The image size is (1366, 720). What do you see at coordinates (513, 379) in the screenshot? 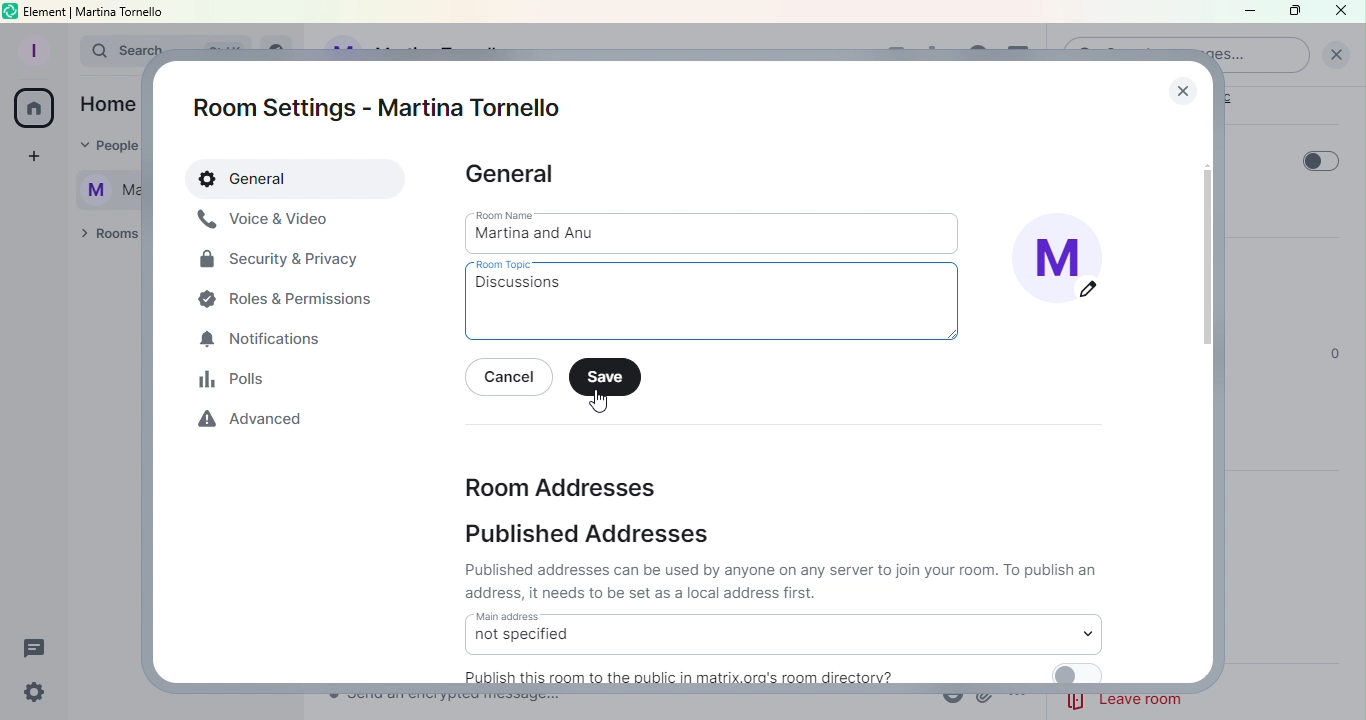
I see `Cancel` at bounding box center [513, 379].